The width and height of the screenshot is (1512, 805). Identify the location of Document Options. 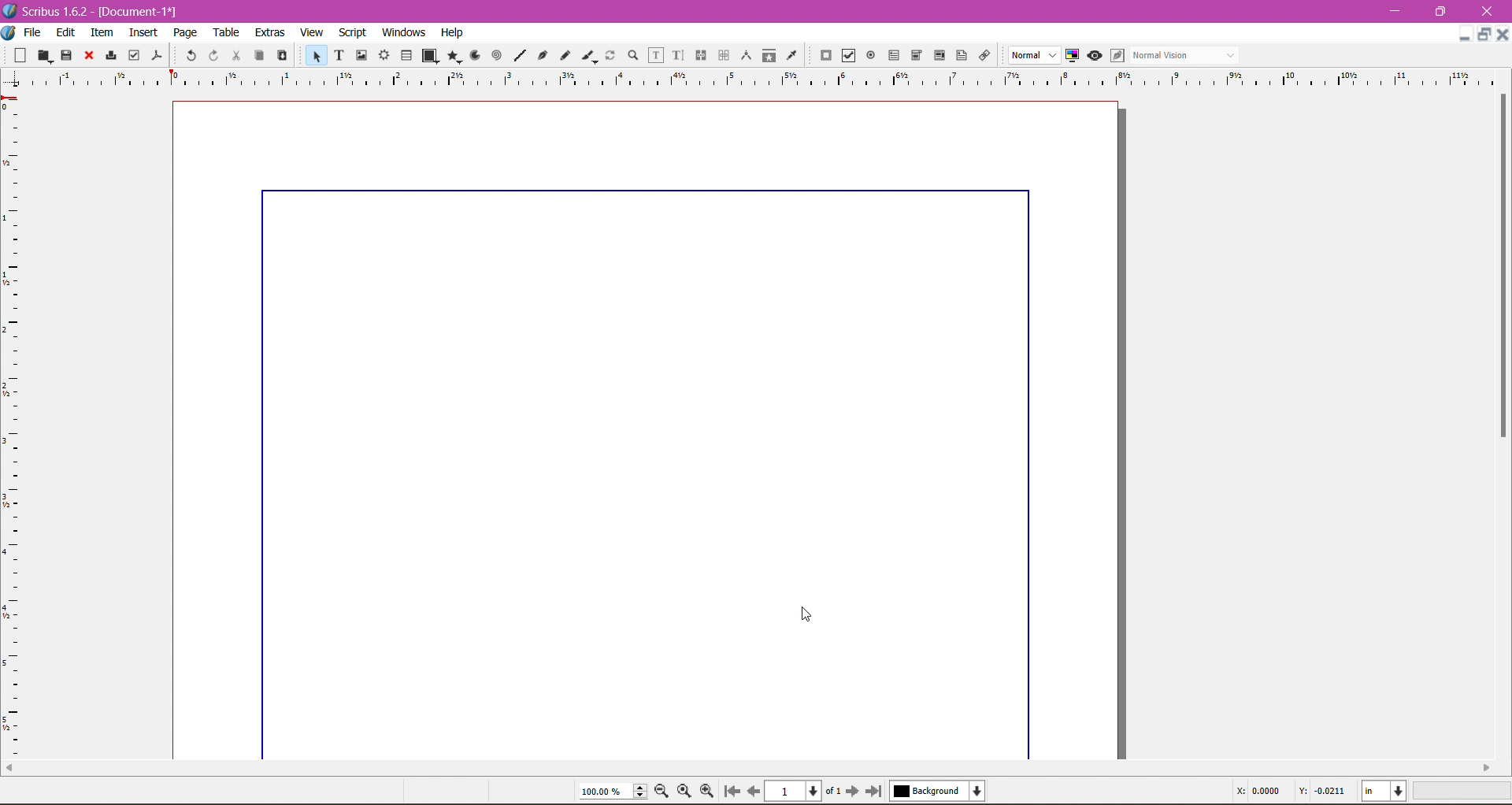
(9, 31).